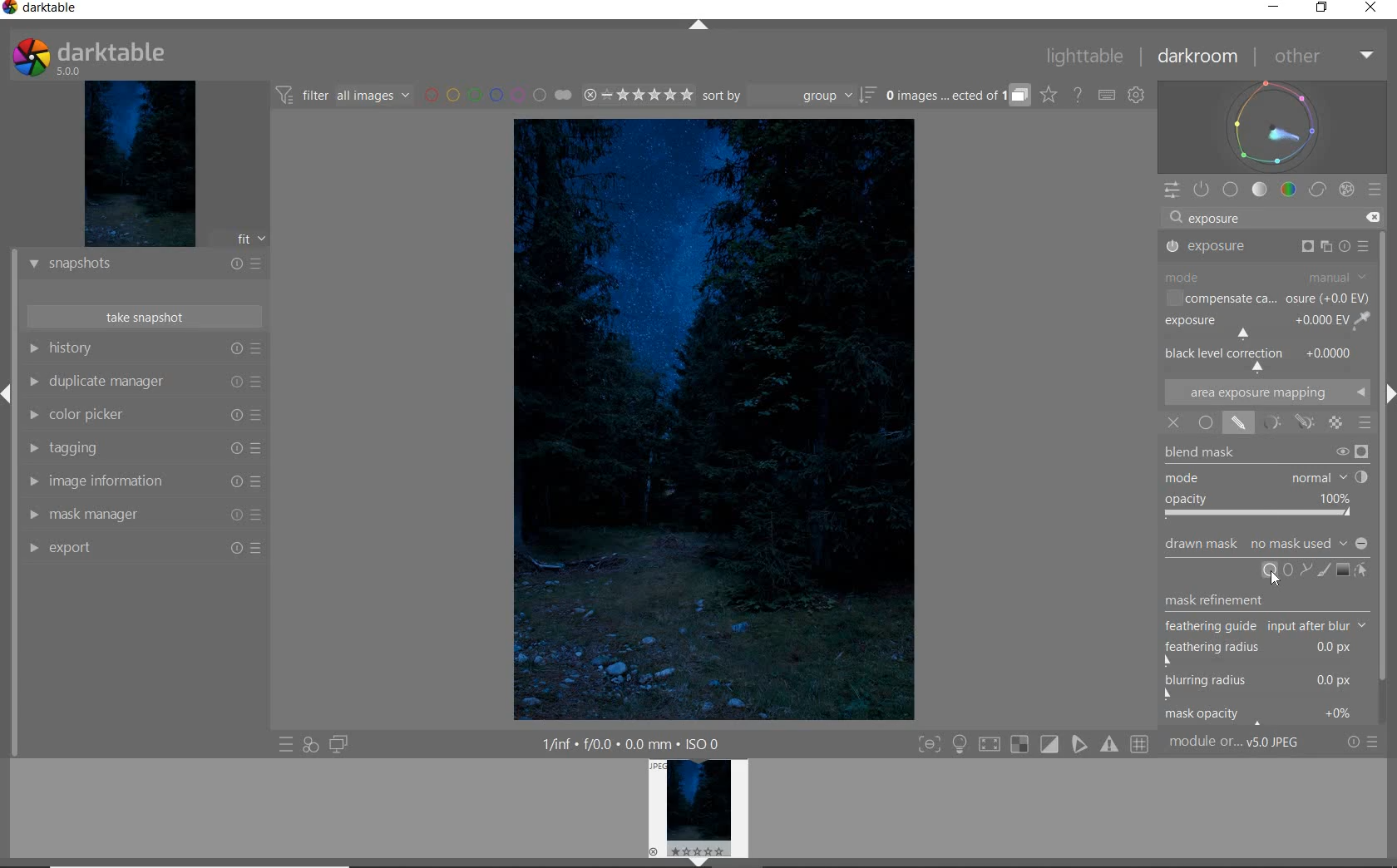  What do you see at coordinates (698, 812) in the screenshot?
I see `IMAGE PREVIEW` at bounding box center [698, 812].